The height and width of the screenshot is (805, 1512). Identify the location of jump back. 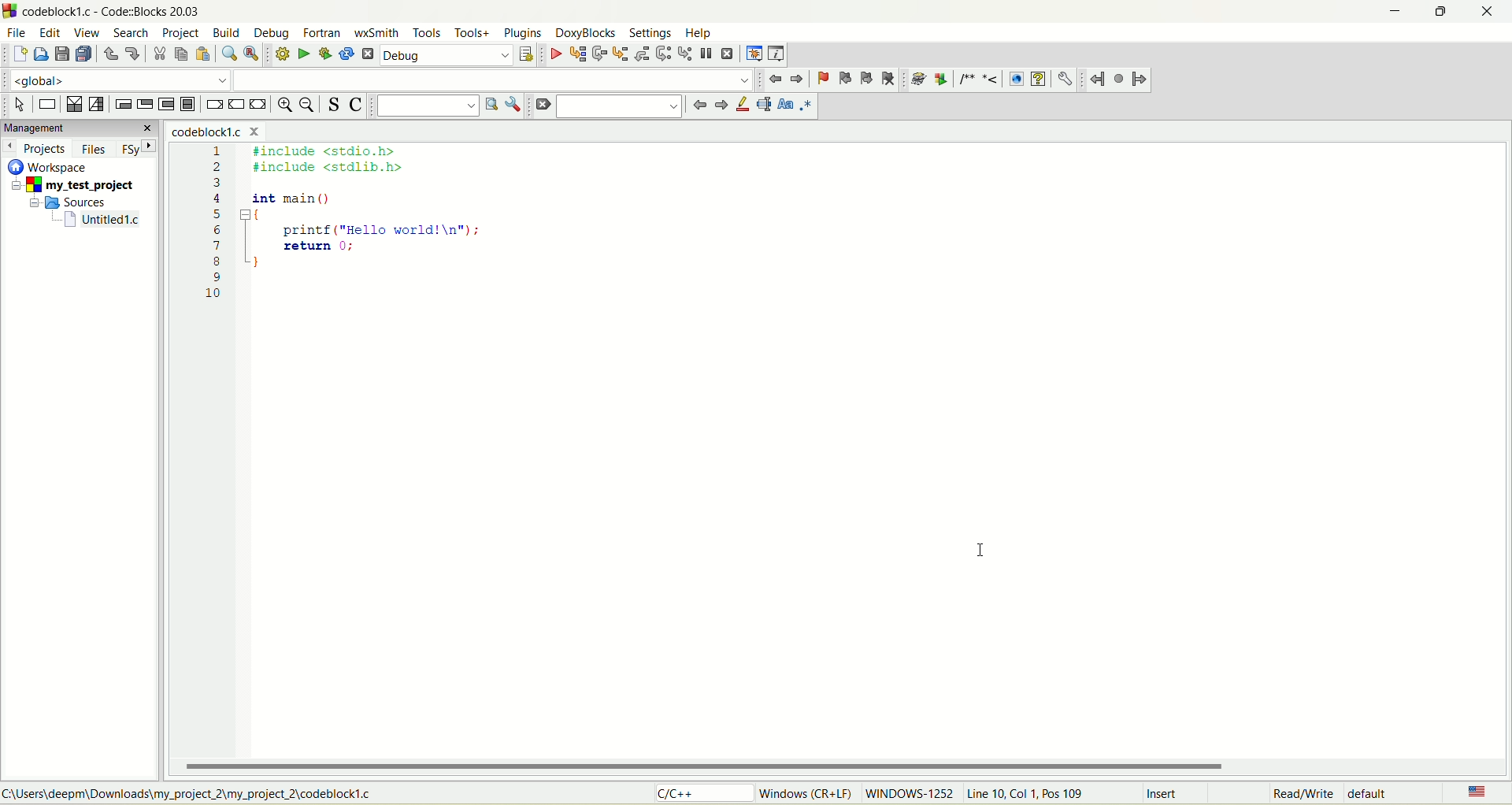
(697, 105).